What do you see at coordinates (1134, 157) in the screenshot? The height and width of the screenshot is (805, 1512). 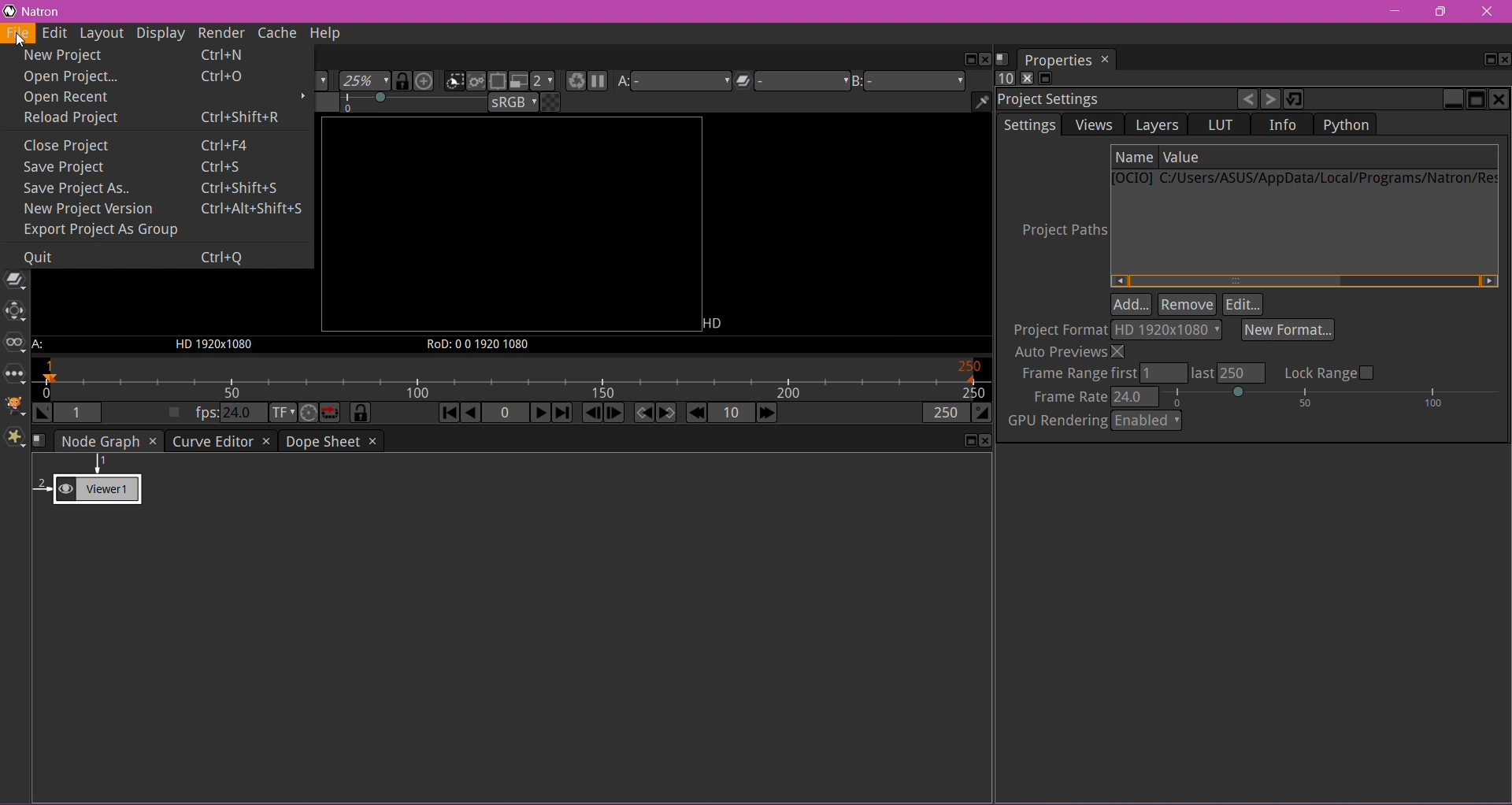 I see `Name` at bounding box center [1134, 157].